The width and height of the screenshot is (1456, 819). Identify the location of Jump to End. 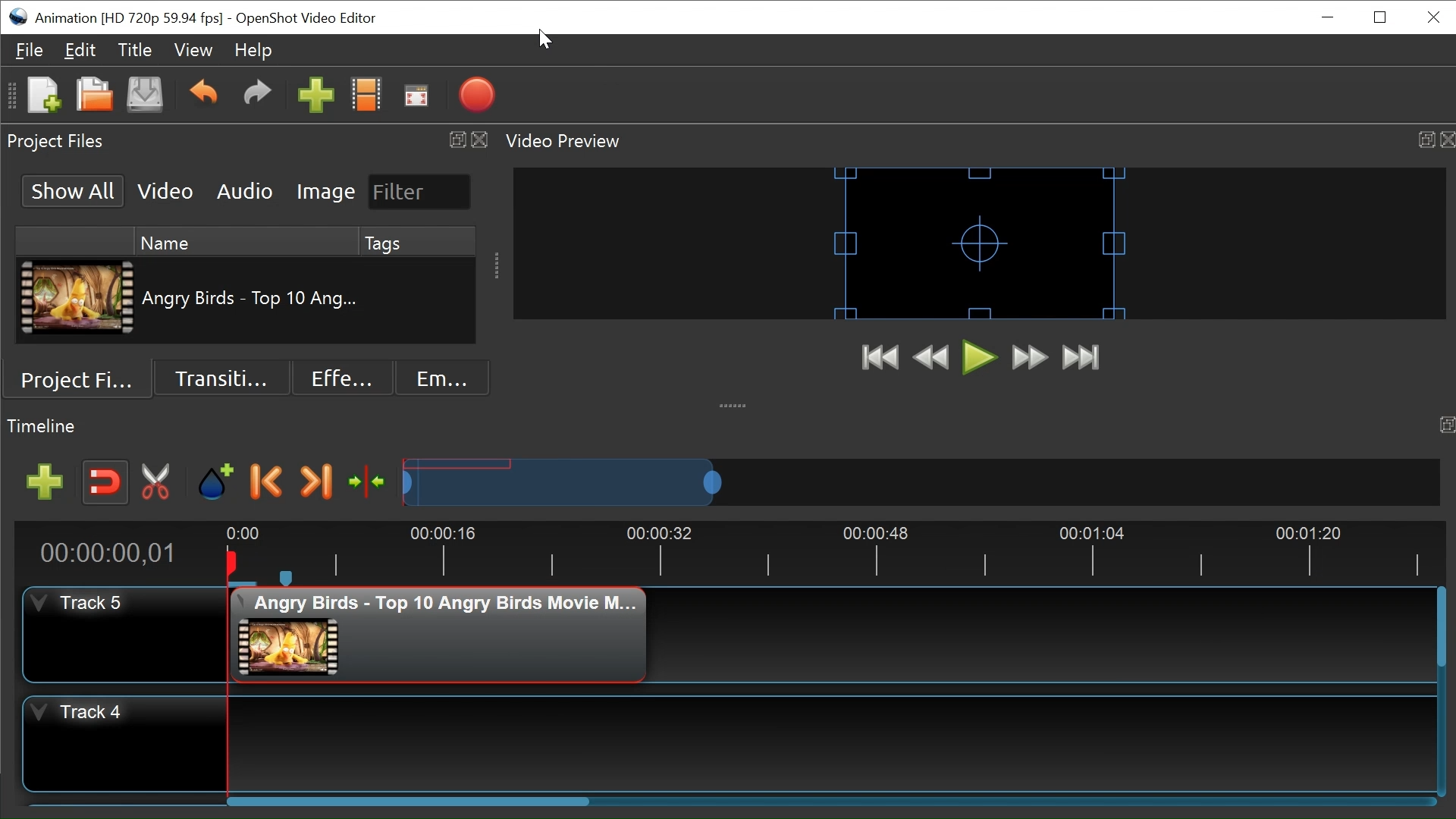
(1081, 359).